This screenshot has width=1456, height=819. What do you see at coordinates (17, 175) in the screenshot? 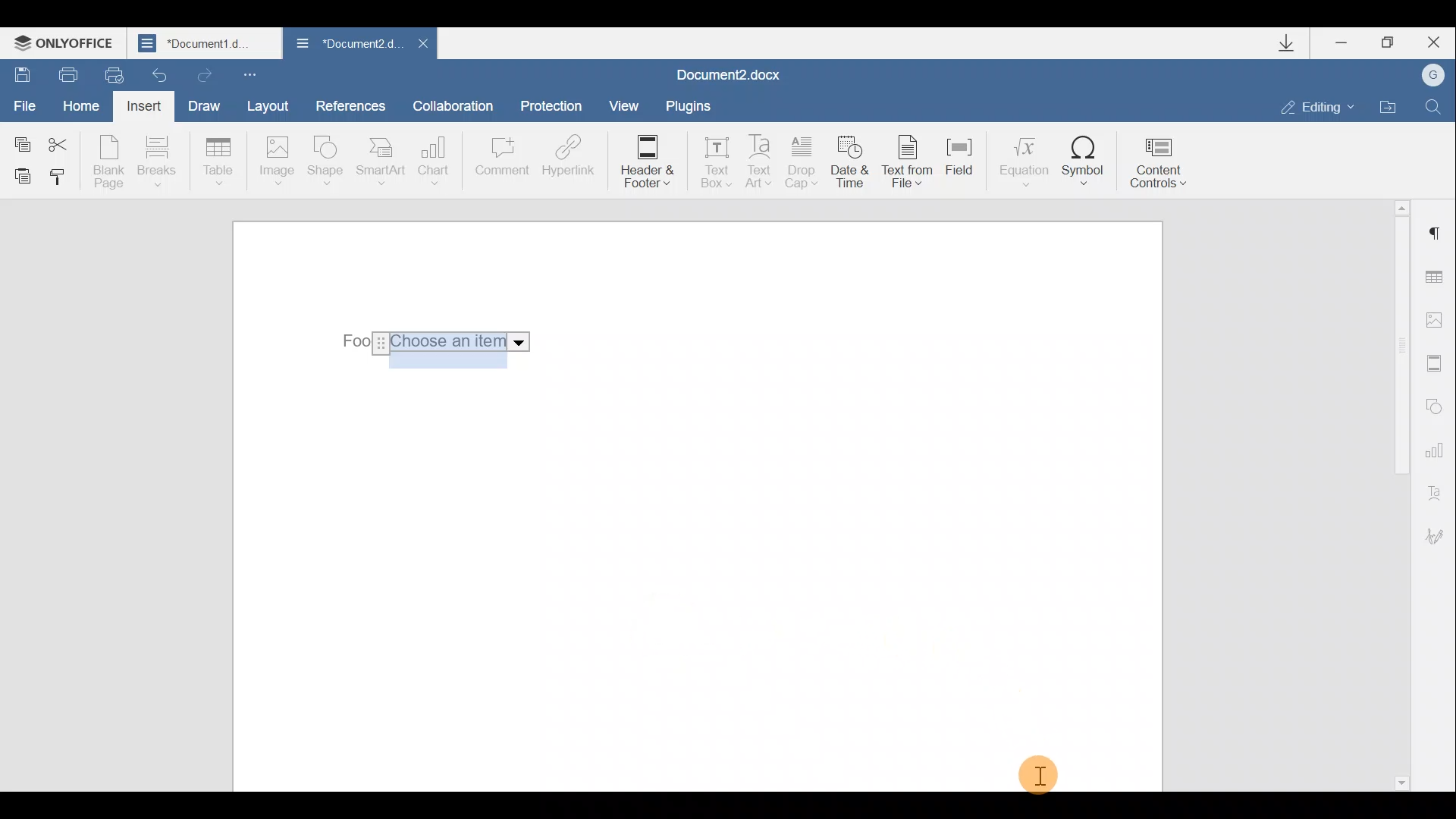
I see `Paste` at bounding box center [17, 175].